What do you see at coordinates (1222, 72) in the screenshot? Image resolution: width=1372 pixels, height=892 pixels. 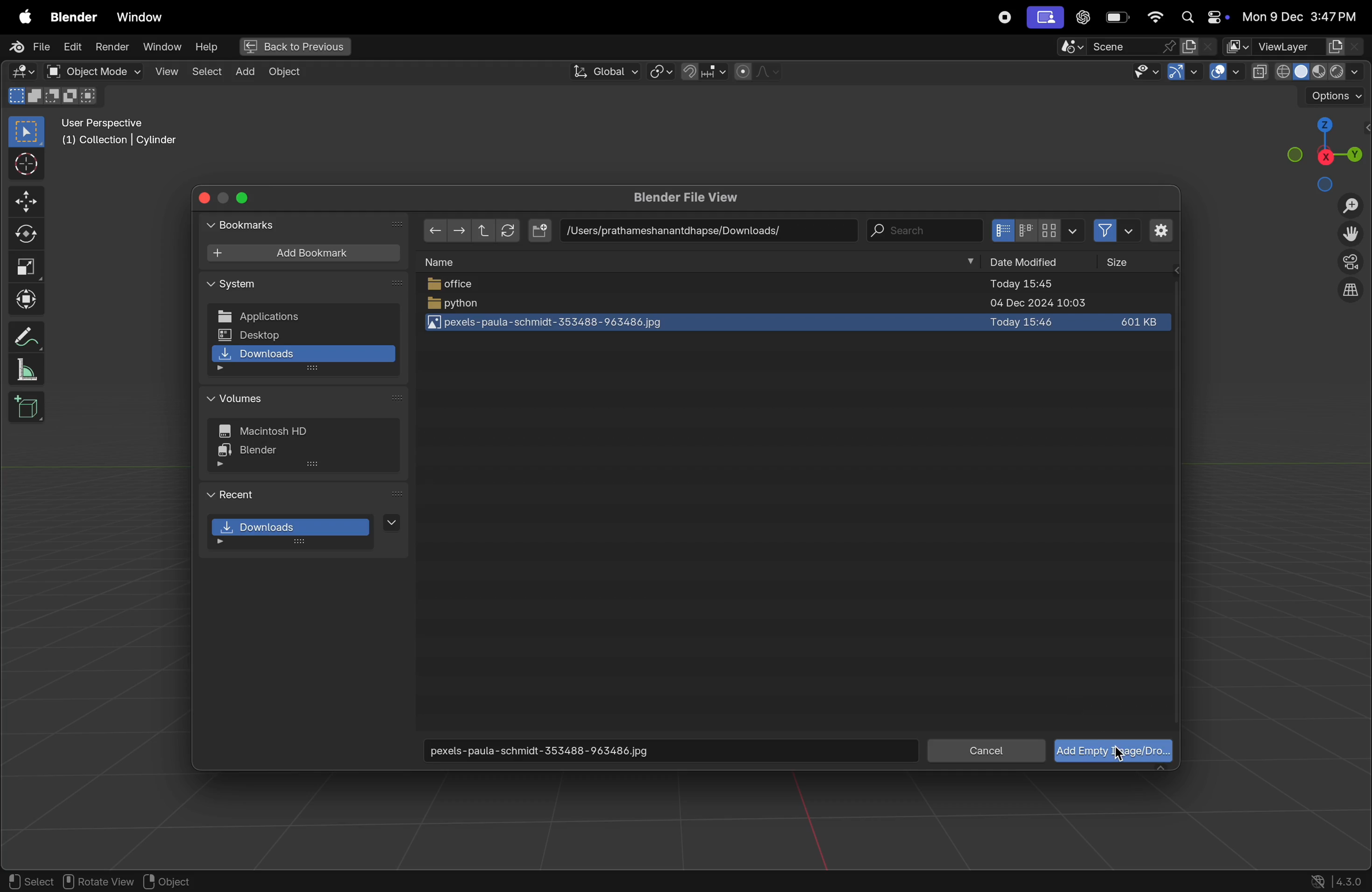 I see `overlays` at bounding box center [1222, 72].